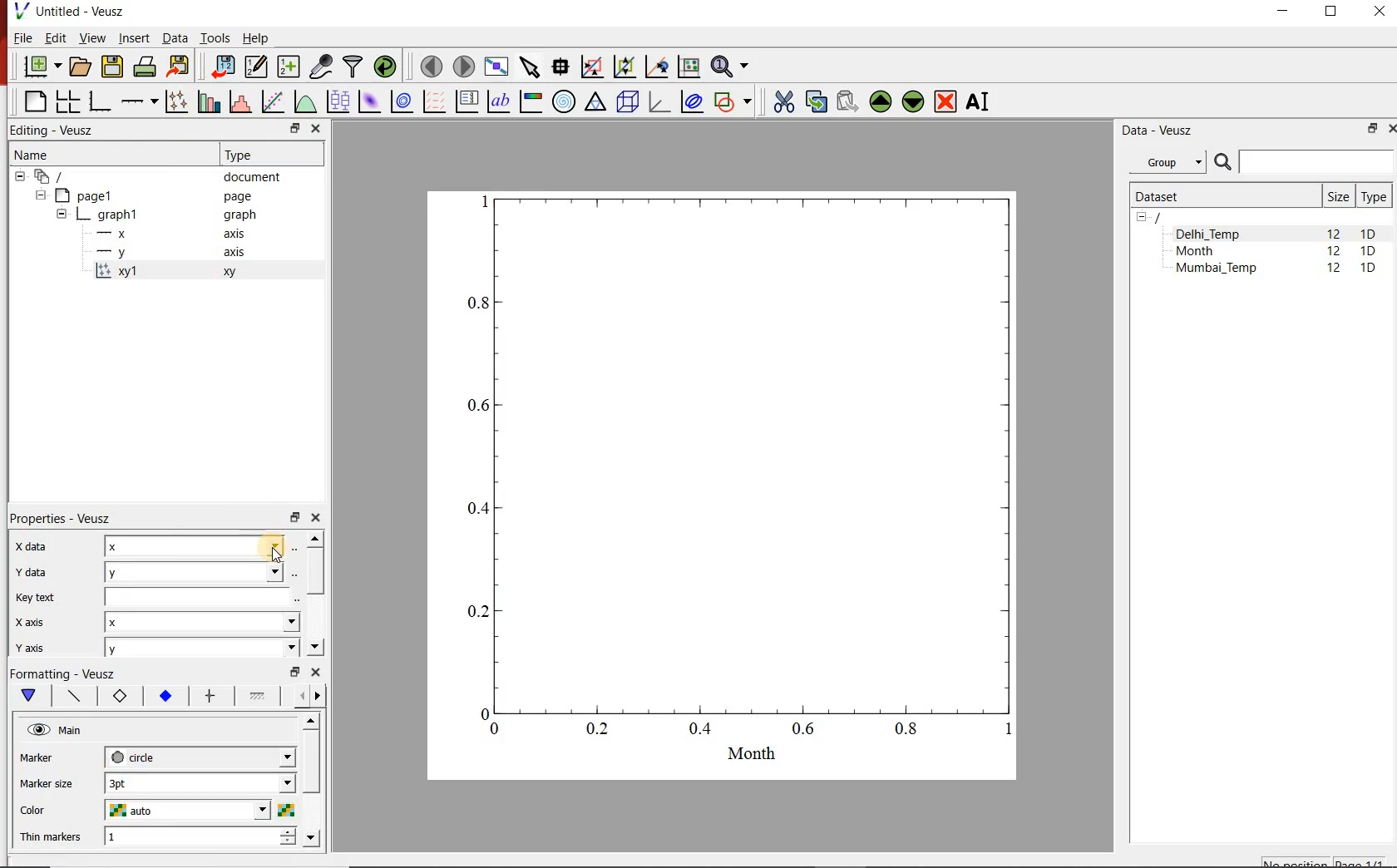  I want to click on 1D, so click(1369, 234).